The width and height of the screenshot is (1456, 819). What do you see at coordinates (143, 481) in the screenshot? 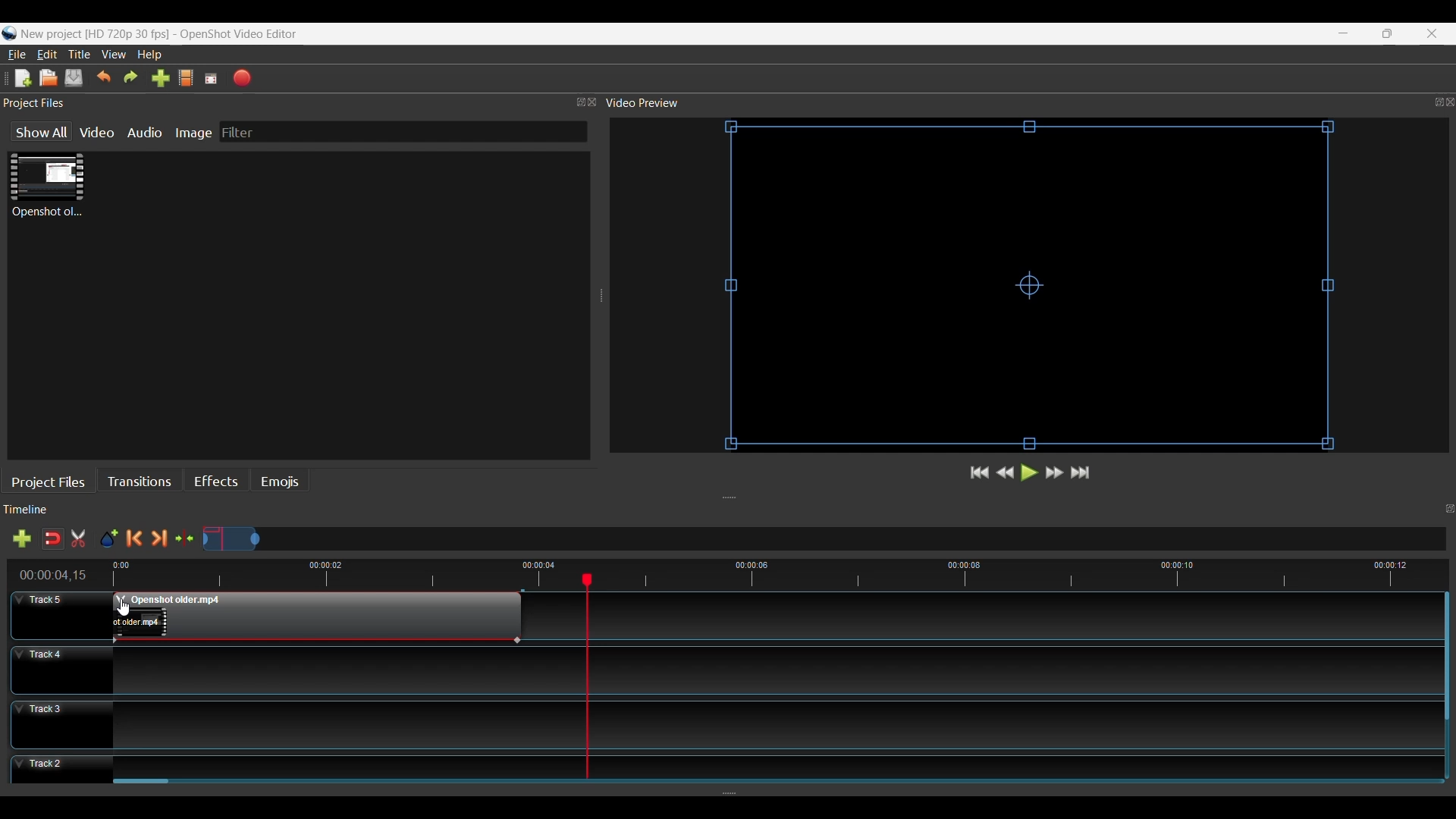
I see `Transitions` at bounding box center [143, 481].